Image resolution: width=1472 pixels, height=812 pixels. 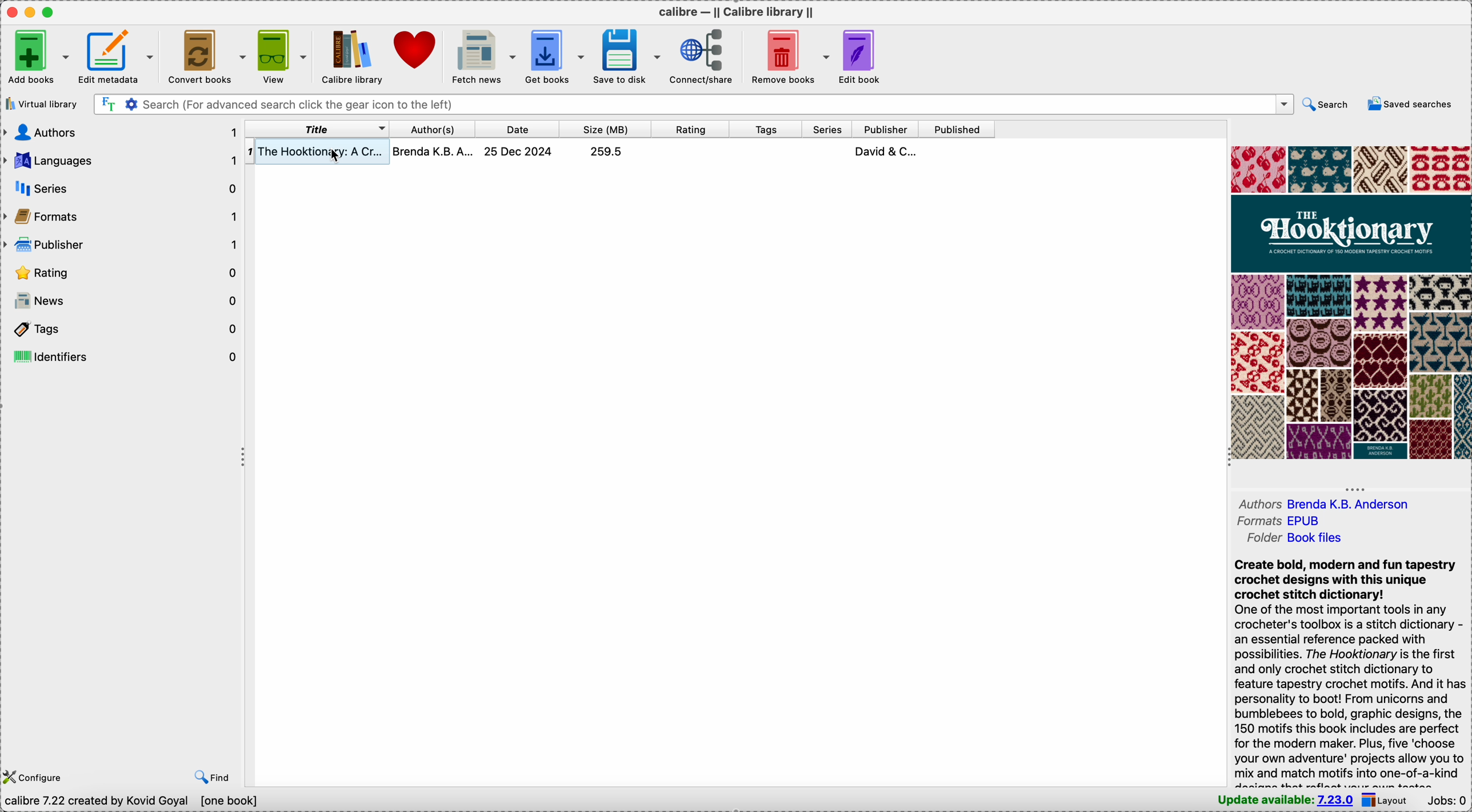 What do you see at coordinates (735, 13) in the screenshot?
I see `Calibre` at bounding box center [735, 13].